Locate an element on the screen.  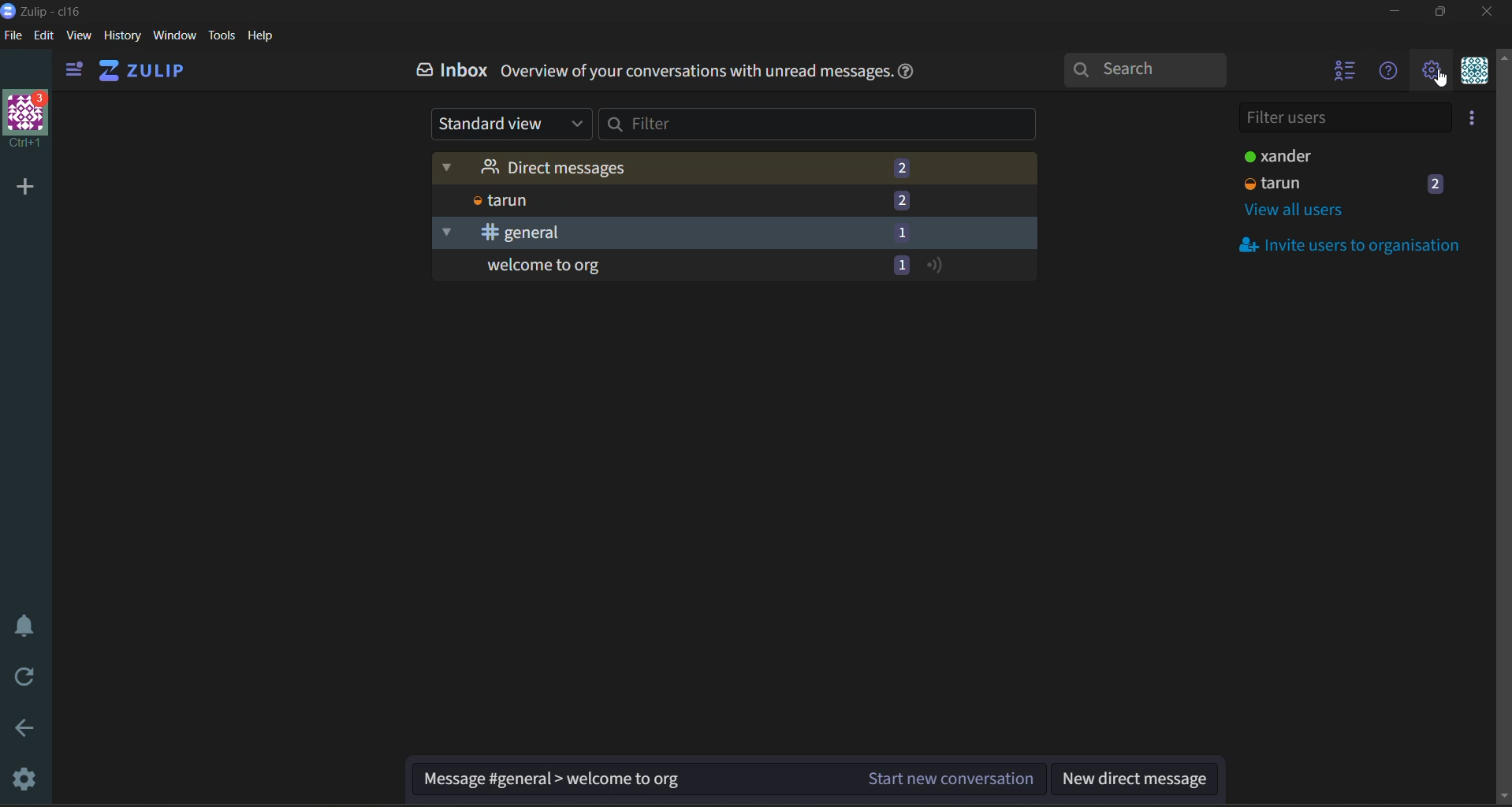
tarun is located at coordinates (1327, 184).